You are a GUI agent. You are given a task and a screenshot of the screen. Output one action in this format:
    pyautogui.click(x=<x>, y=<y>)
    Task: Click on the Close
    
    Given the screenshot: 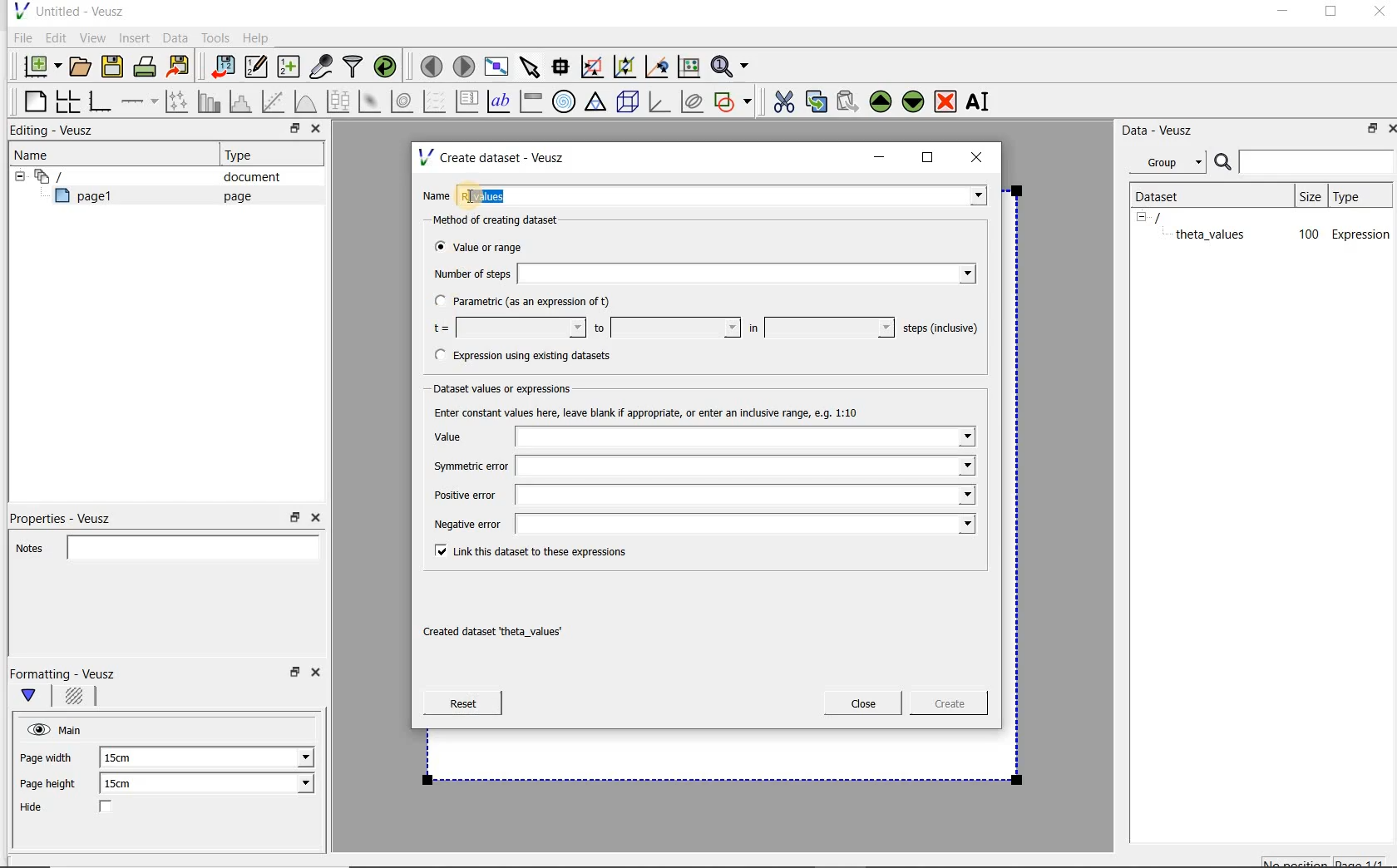 What is the action you would take?
    pyautogui.click(x=318, y=675)
    